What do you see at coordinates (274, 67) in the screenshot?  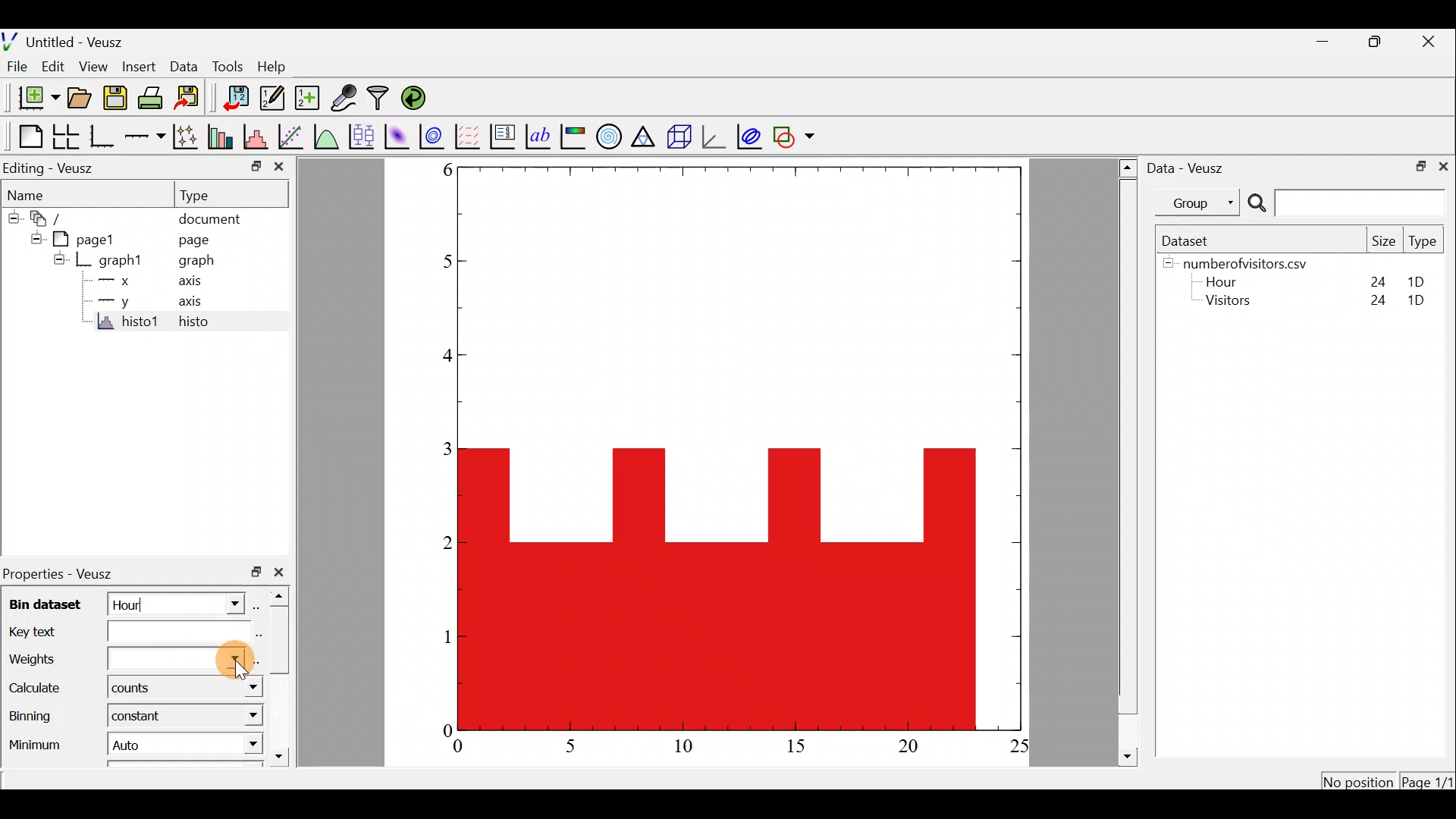 I see `Help` at bounding box center [274, 67].